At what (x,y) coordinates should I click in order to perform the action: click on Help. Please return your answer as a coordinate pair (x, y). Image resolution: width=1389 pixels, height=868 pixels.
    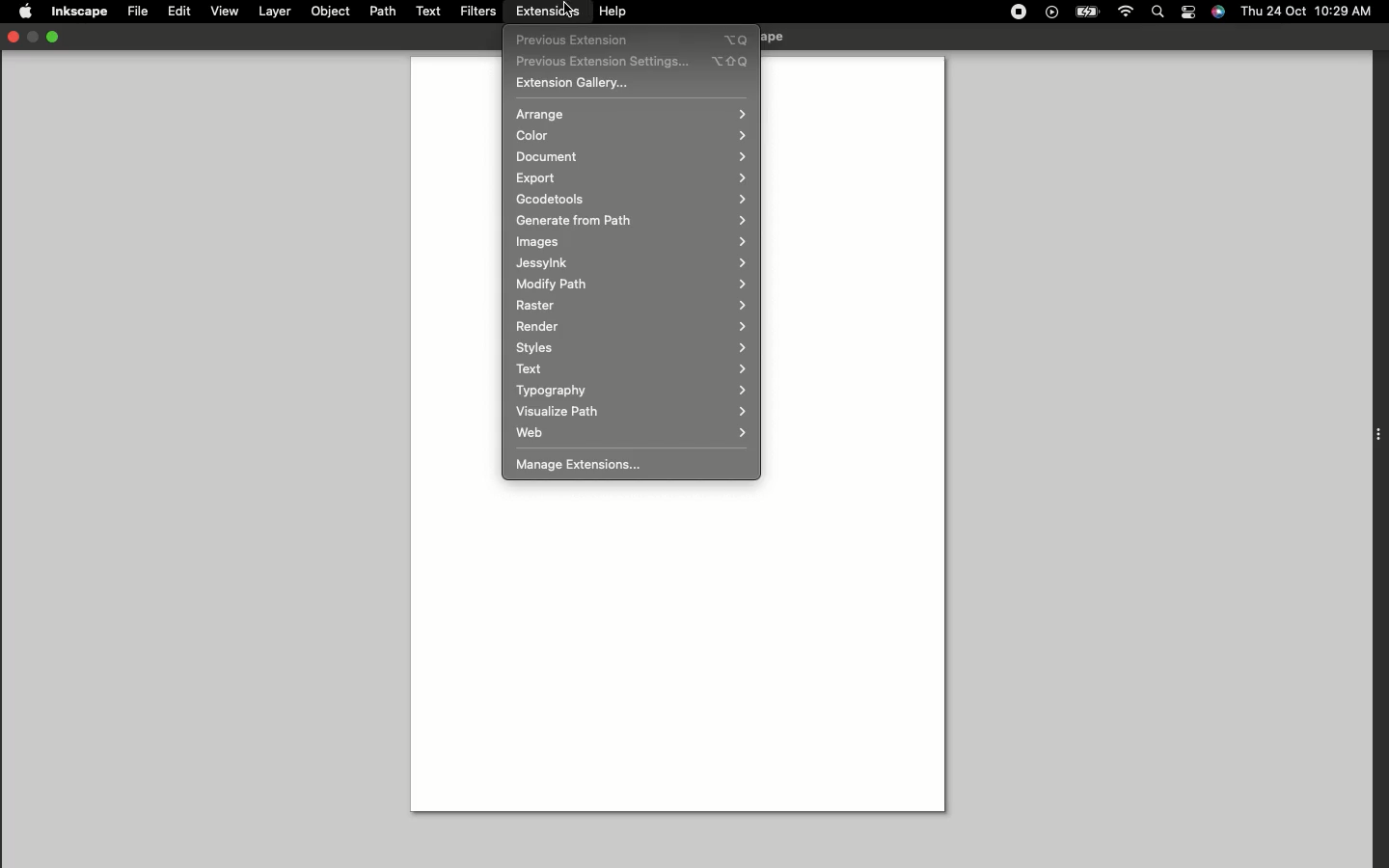
    Looking at the image, I should click on (613, 11).